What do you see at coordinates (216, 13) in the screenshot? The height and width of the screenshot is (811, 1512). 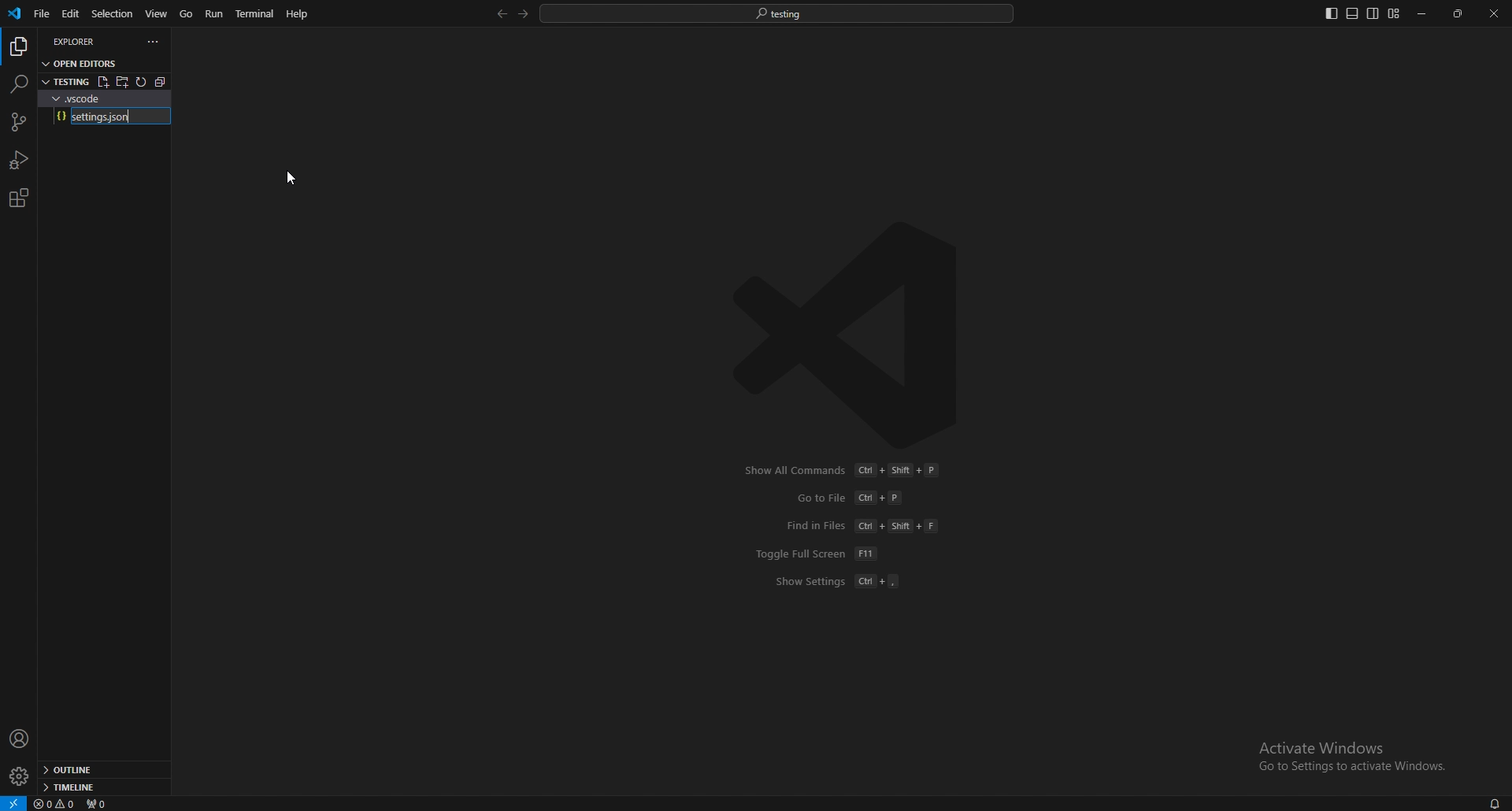 I see `run` at bounding box center [216, 13].